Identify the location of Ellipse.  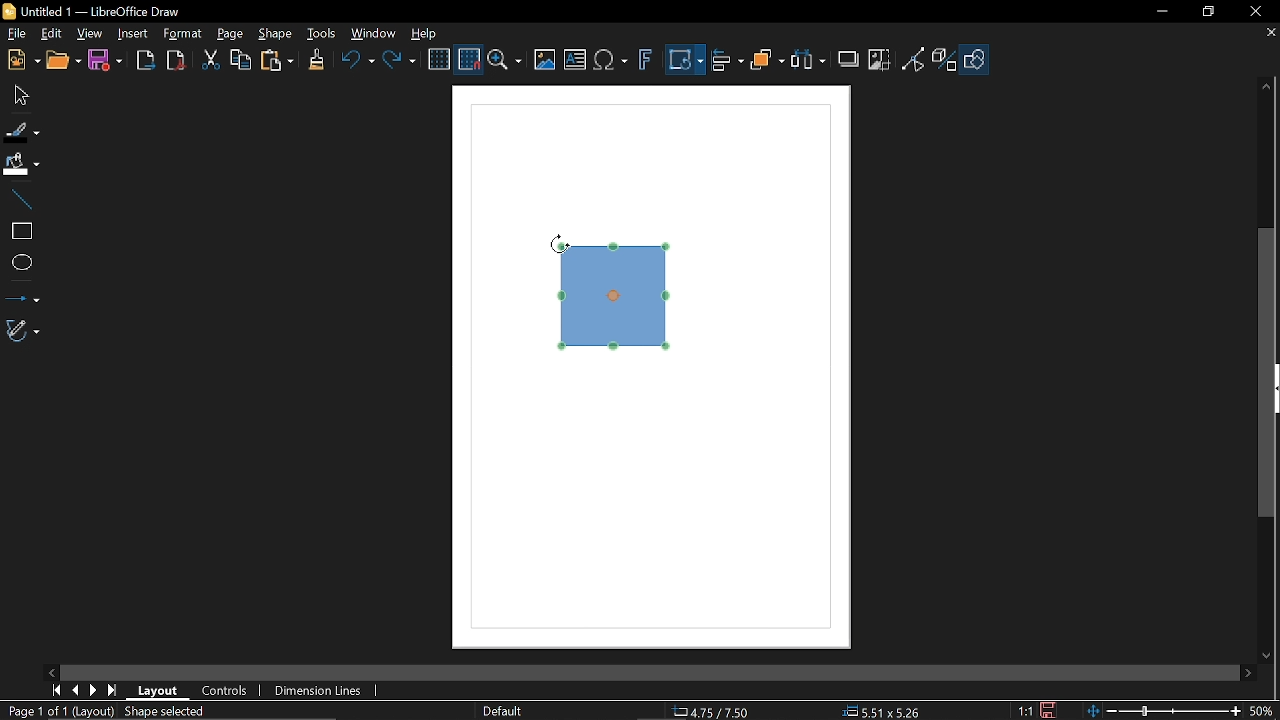
(20, 262).